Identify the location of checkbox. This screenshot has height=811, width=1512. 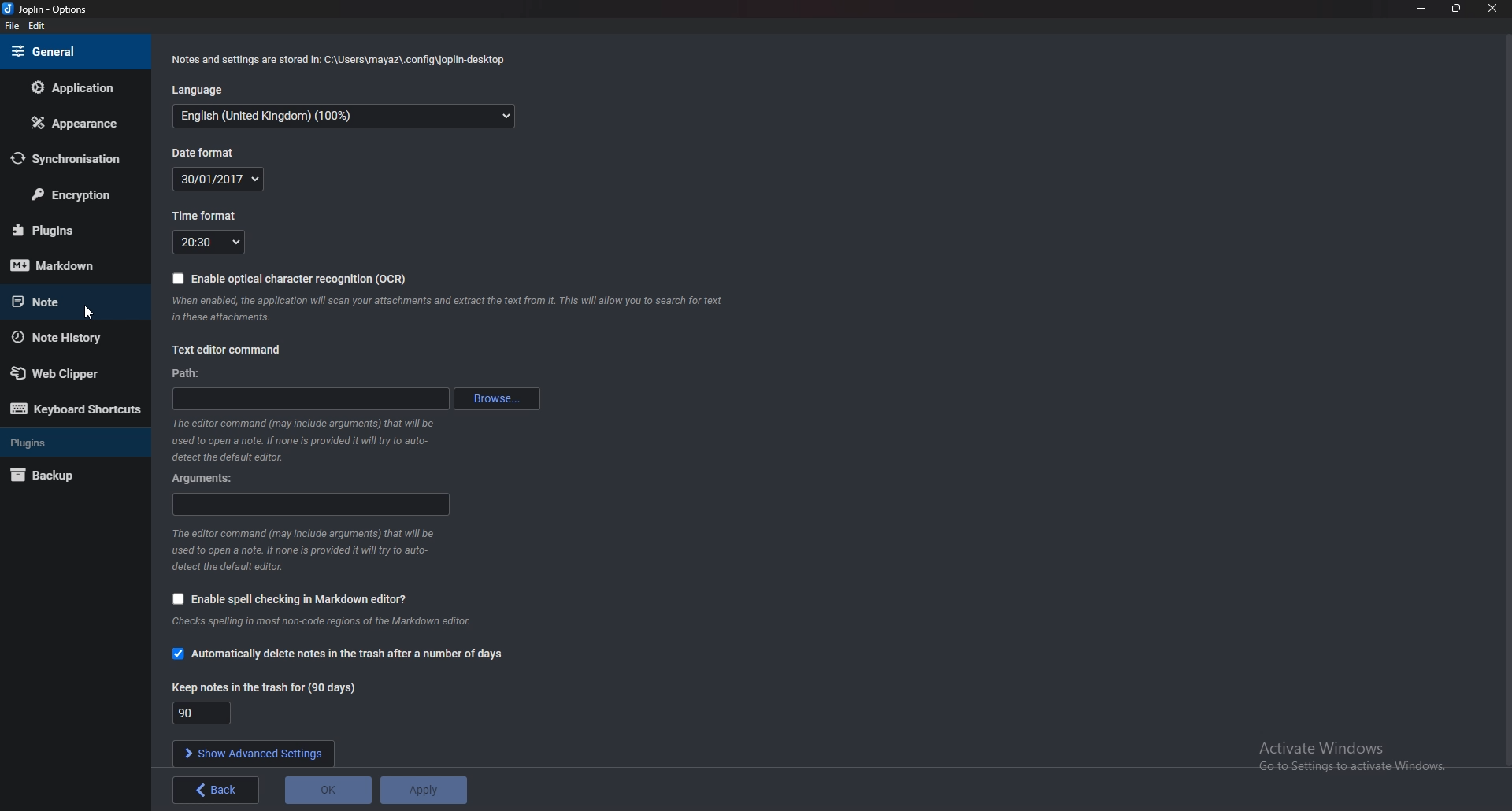
(177, 280).